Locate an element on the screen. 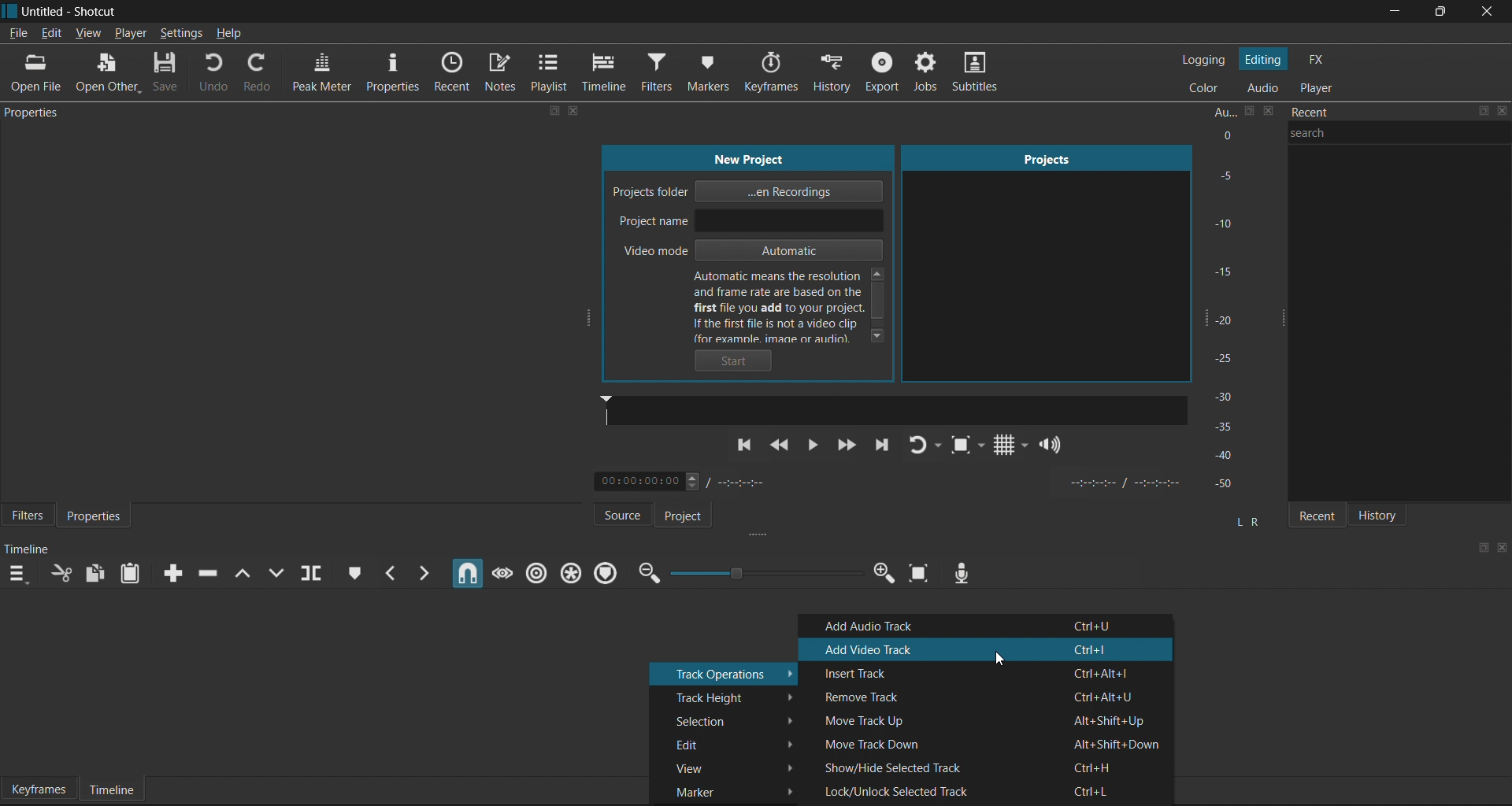 This screenshot has width=1512, height=806. Redo is located at coordinates (260, 75).